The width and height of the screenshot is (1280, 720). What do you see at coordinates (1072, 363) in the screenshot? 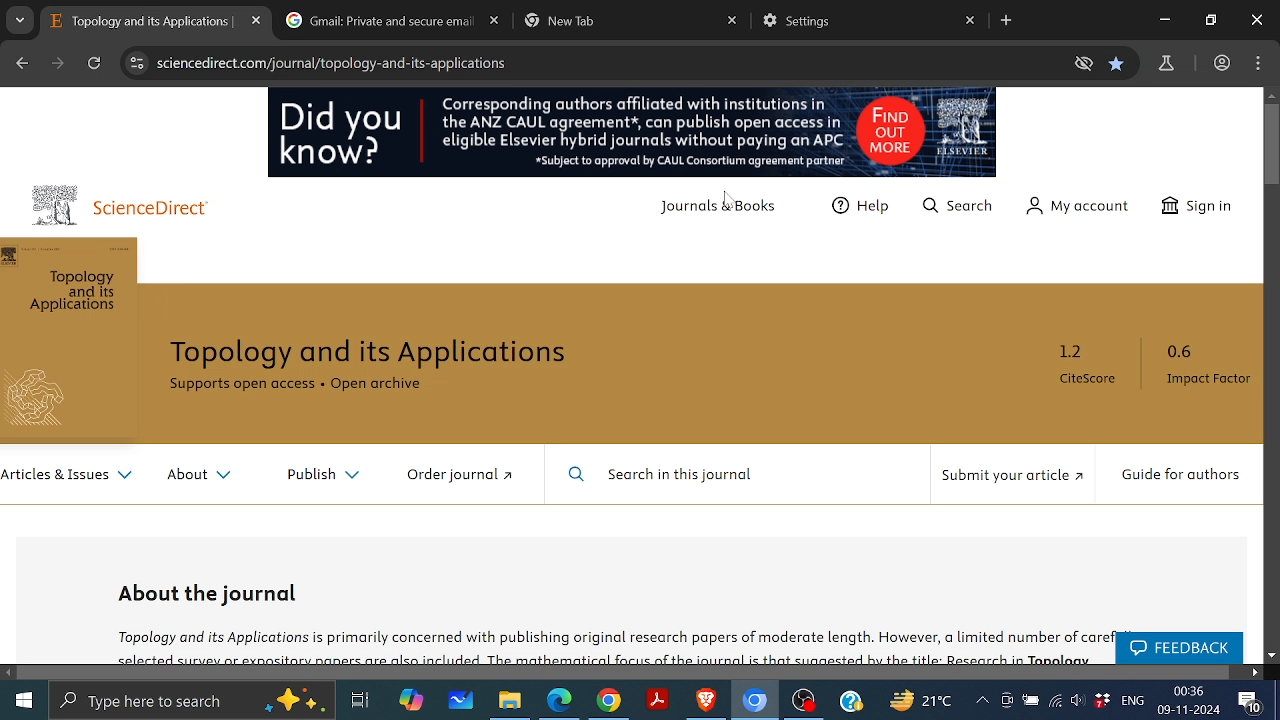
I see `cite score: 1.2` at bounding box center [1072, 363].